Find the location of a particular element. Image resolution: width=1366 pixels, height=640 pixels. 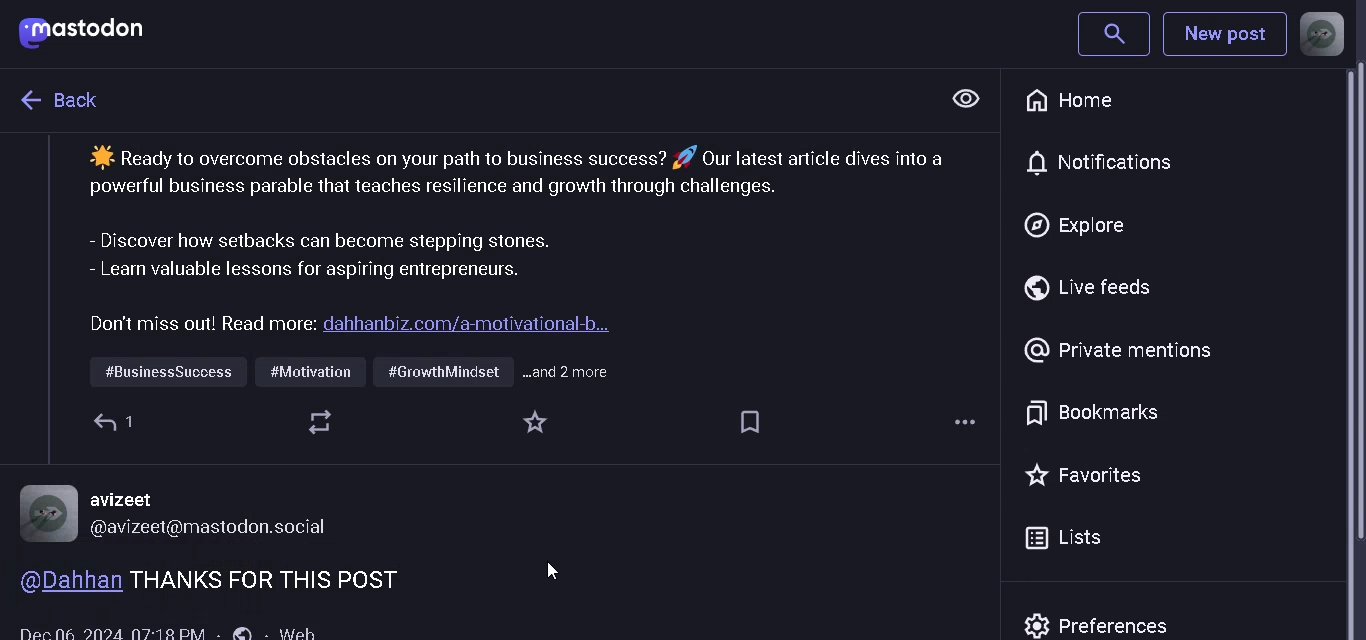

global post is located at coordinates (242, 628).